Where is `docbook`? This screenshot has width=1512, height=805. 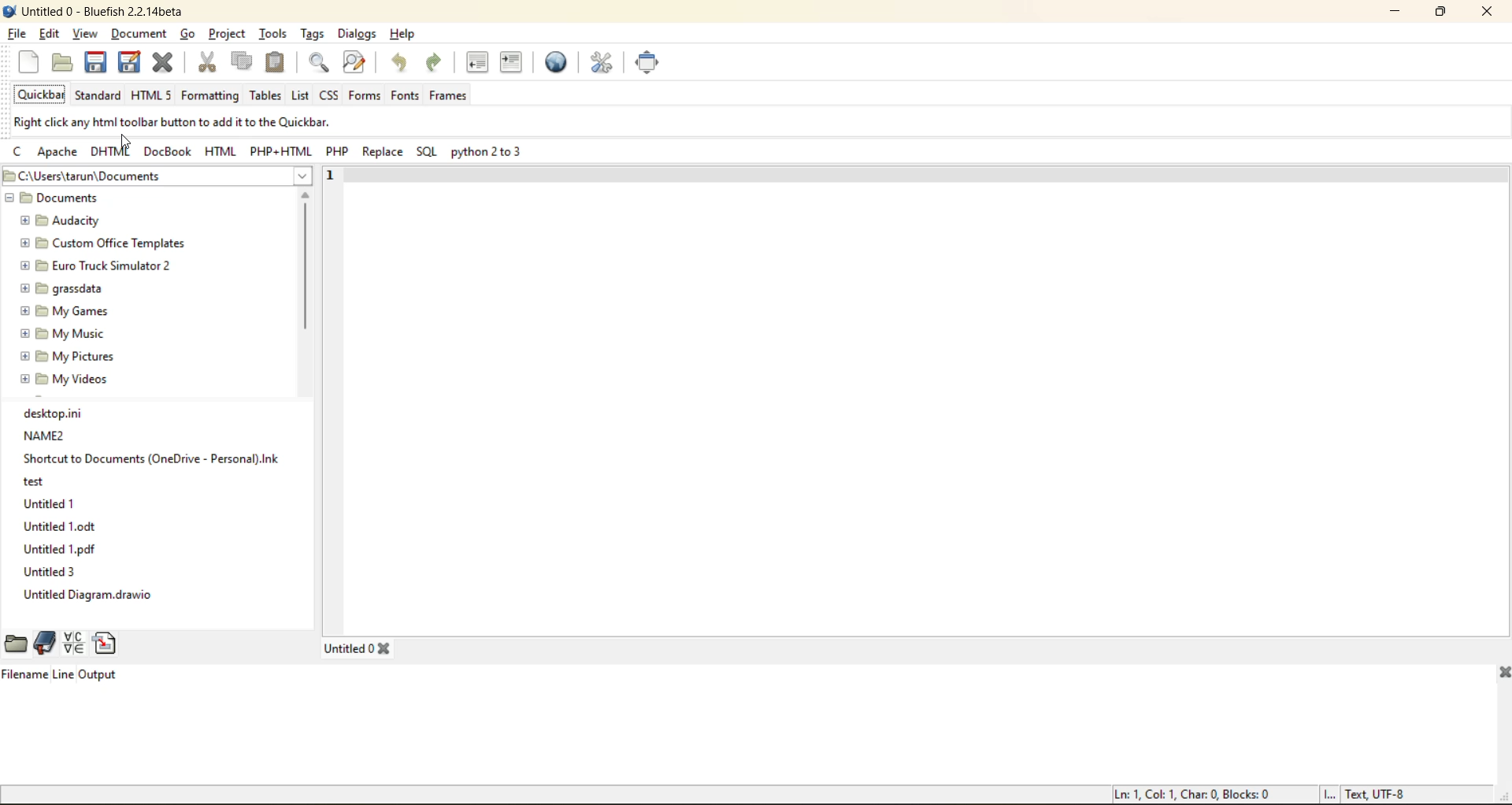 docbook is located at coordinates (166, 153).